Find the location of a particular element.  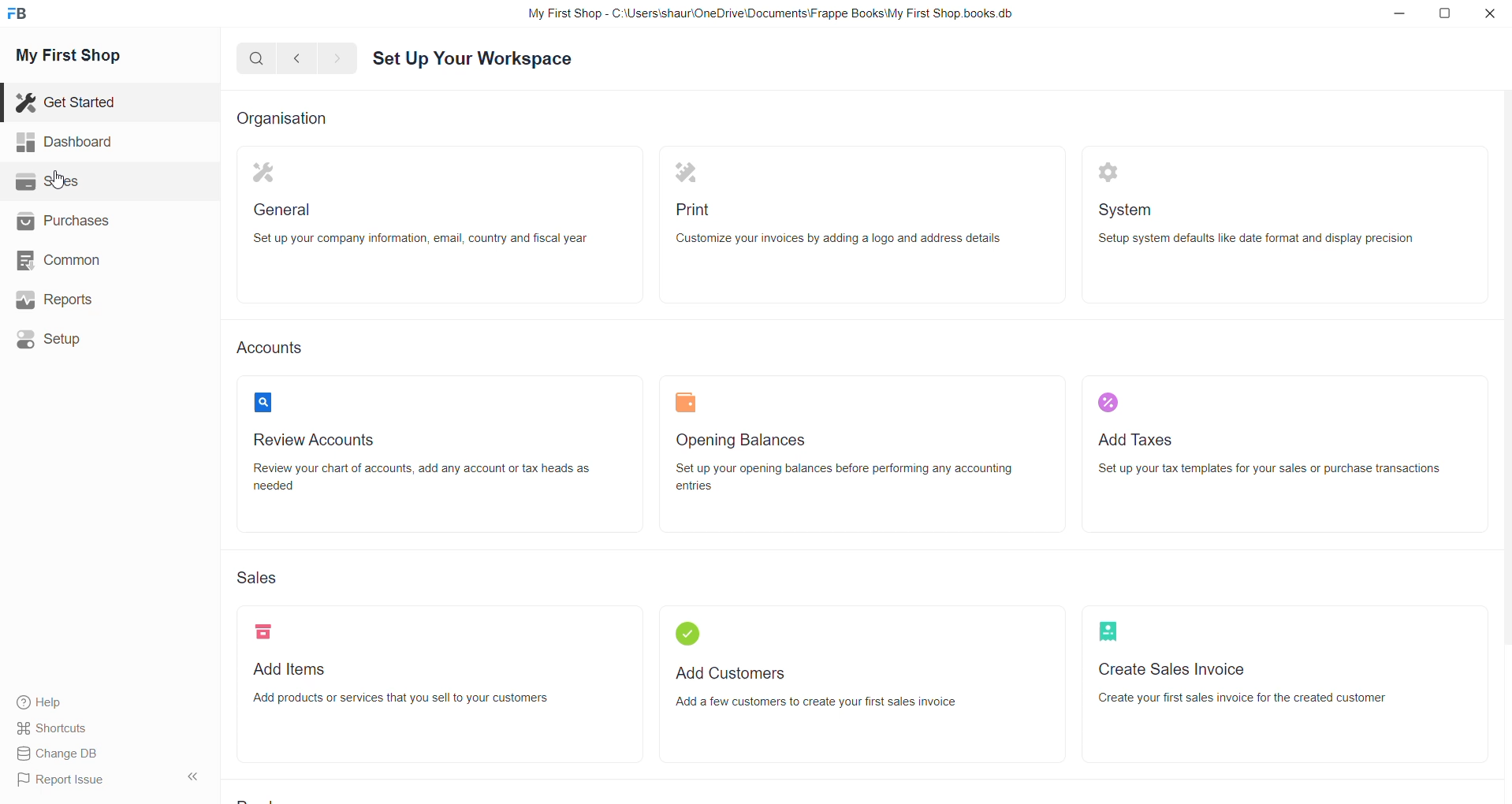

Common is located at coordinates (61, 260).